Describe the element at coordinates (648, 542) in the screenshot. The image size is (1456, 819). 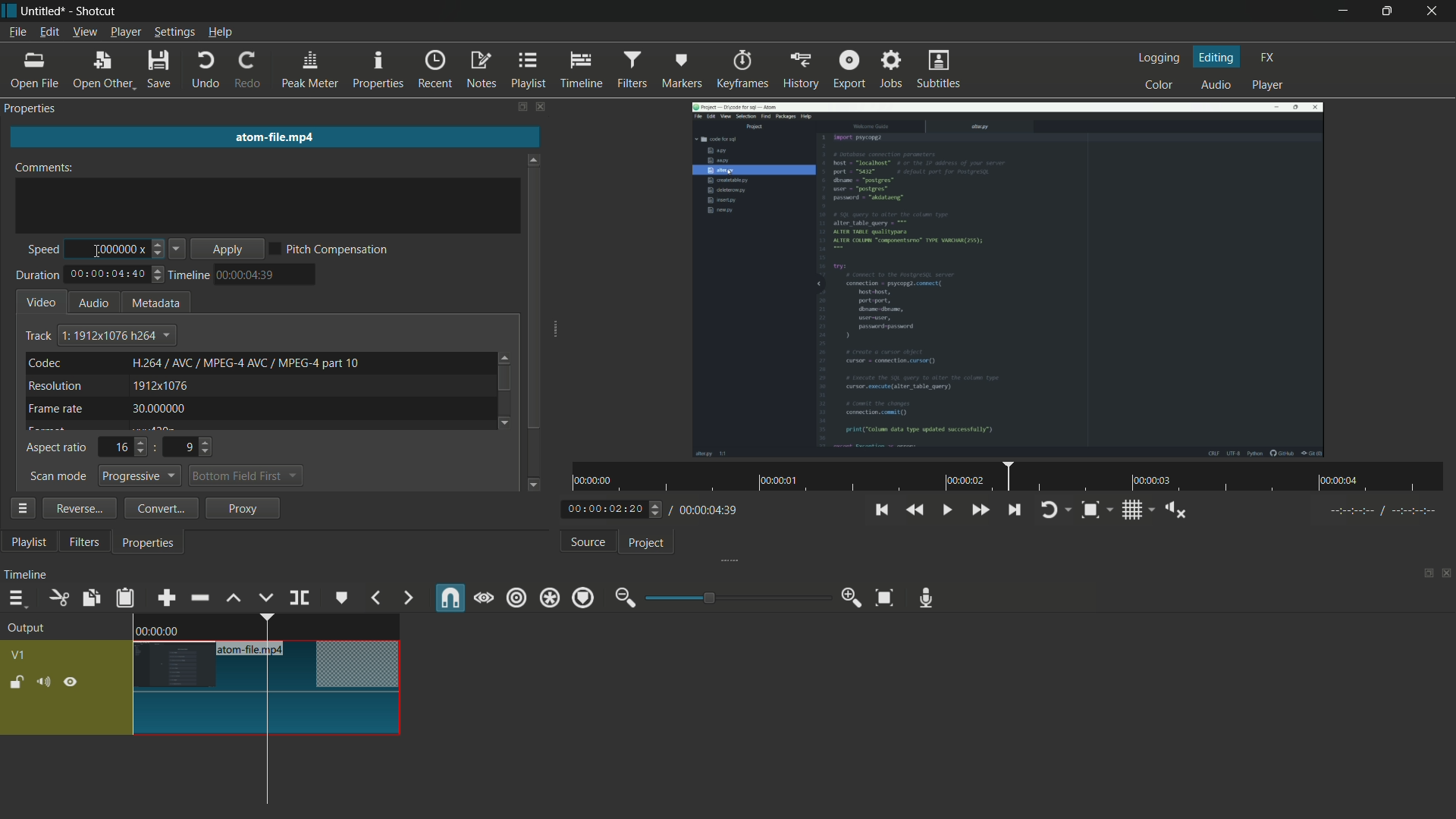
I see `project` at that location.